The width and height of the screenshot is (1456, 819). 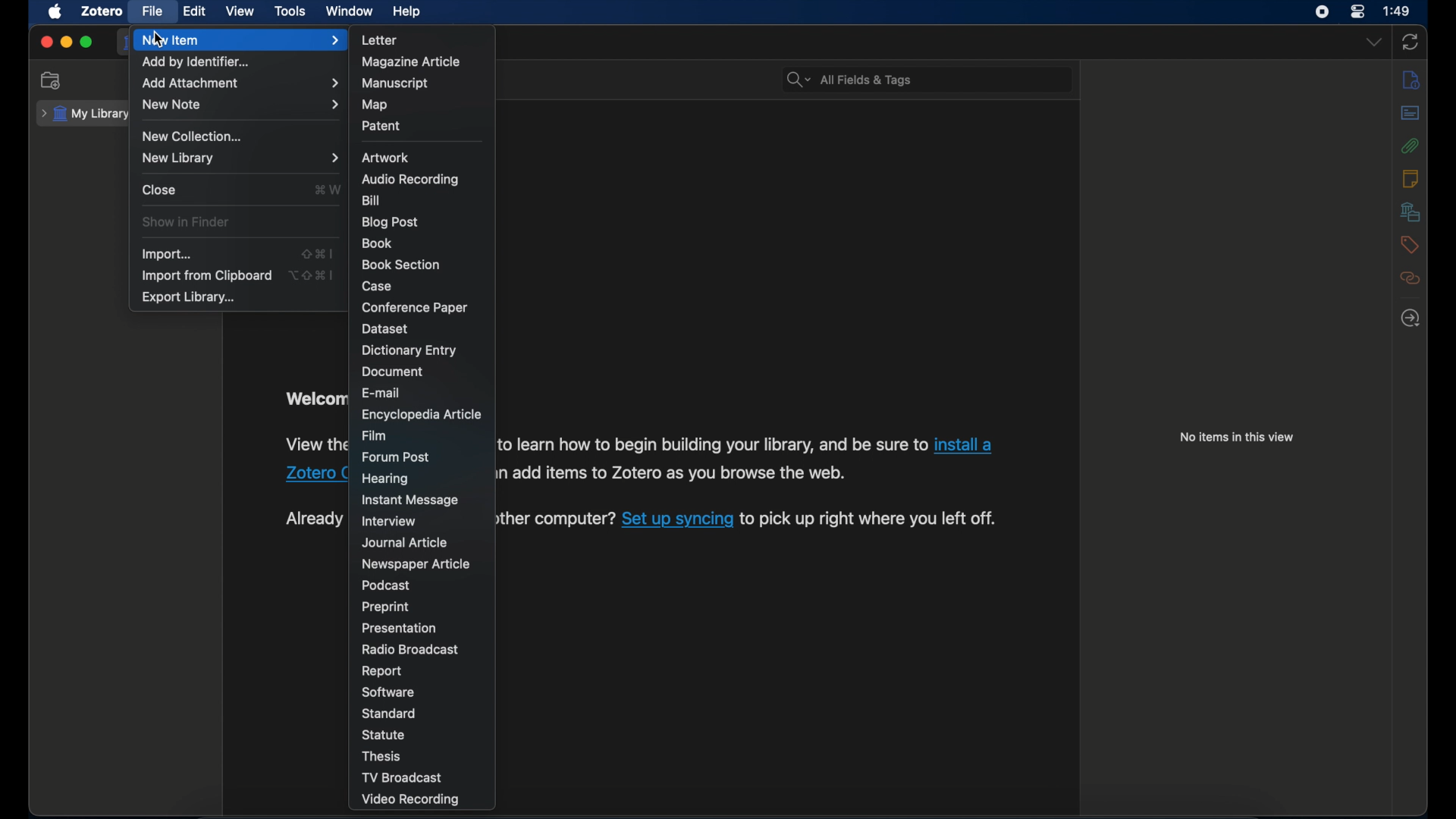 I want to click on artwork, so click(x=386, y=158).